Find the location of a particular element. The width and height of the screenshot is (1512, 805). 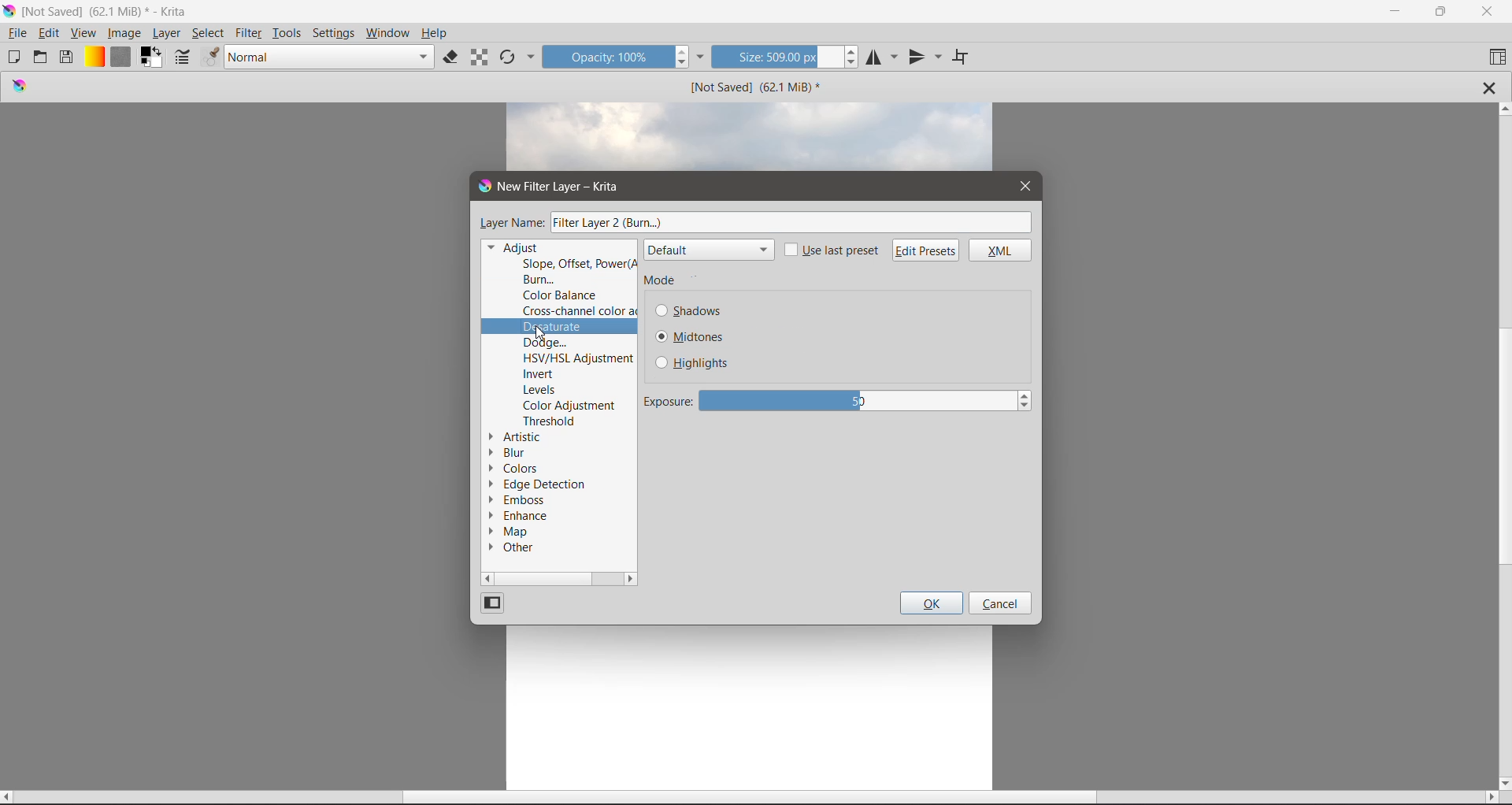

New Filter Layer is located at coordinates (557, 188).